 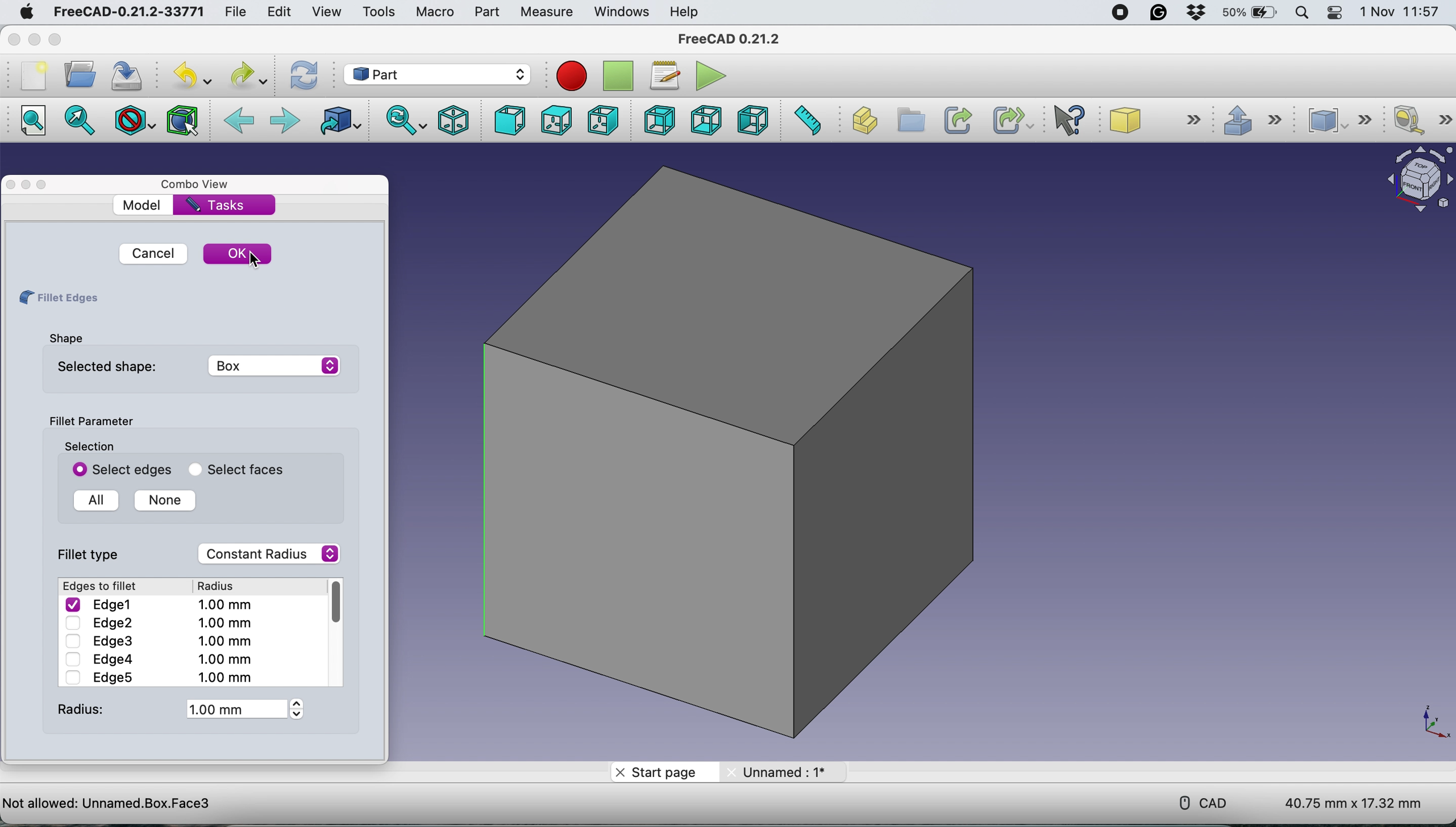 What do you see at coordinates (201, 554) in the screenshot?
I see `Fillet type - Constant Radius` at bounding box center [201, 554].